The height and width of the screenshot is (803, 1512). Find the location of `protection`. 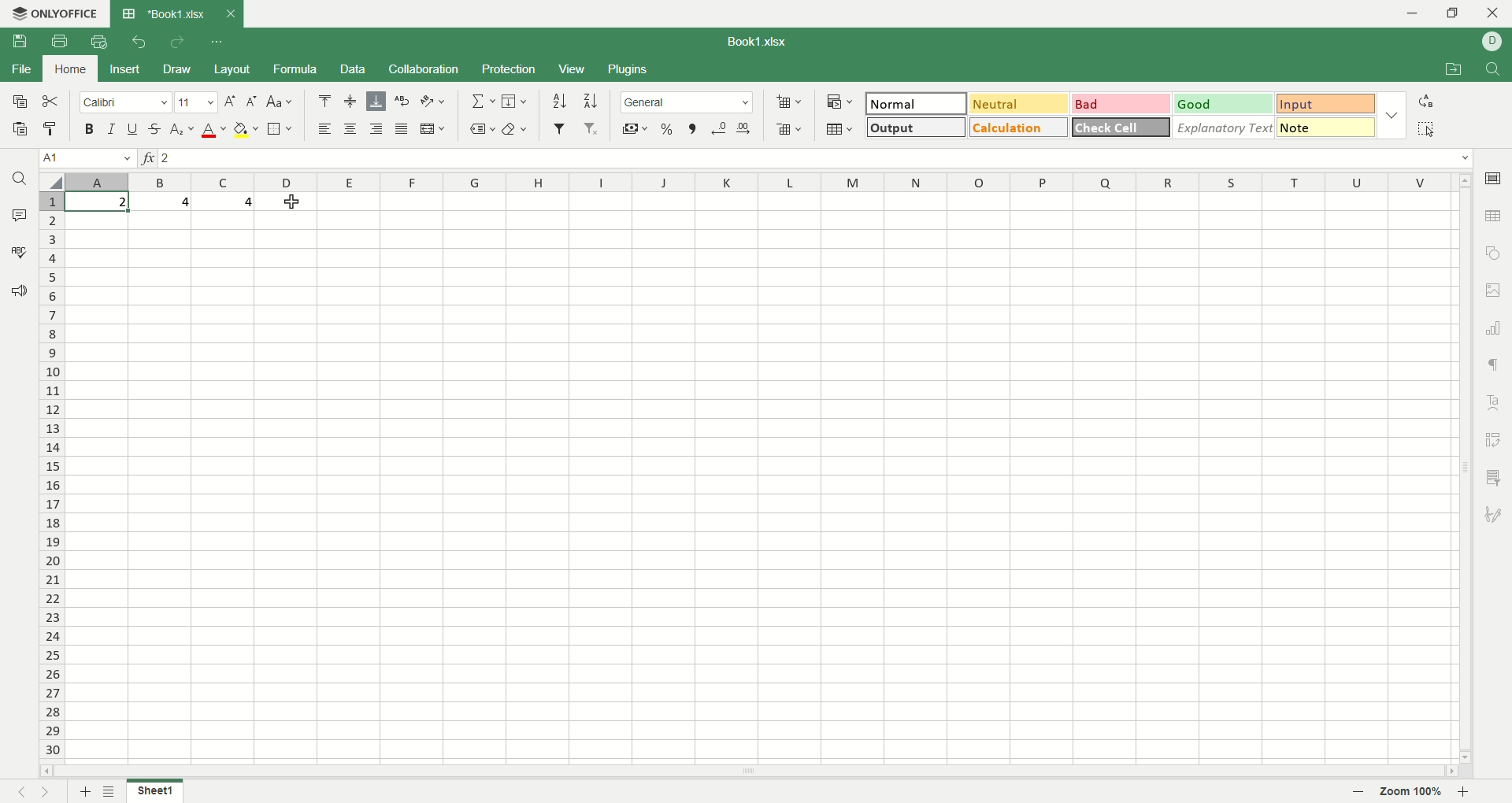

protection is located at coordinates (510, 71).